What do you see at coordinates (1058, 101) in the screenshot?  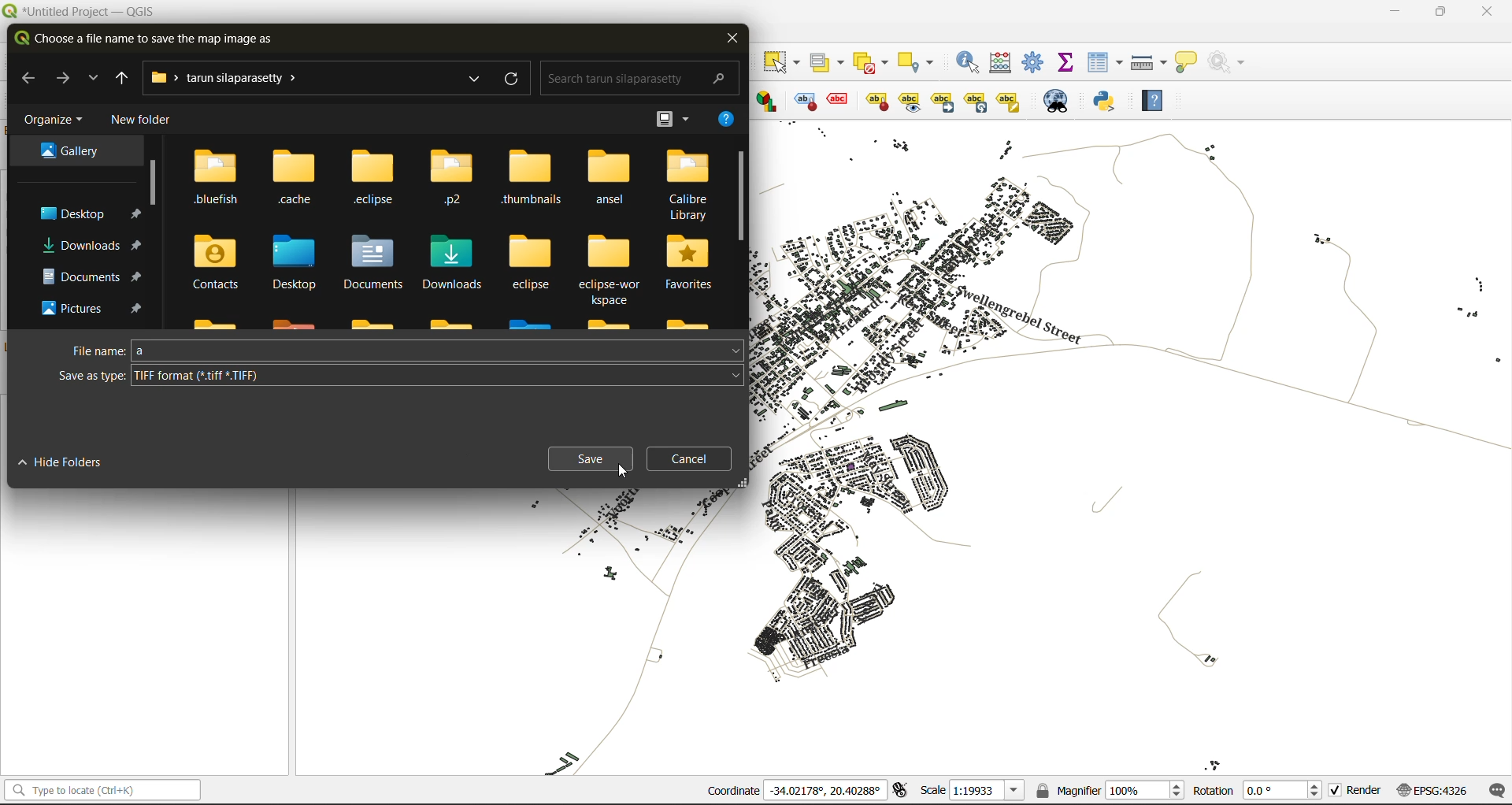 I see `metasearch` at bounding box center [1058, 101].